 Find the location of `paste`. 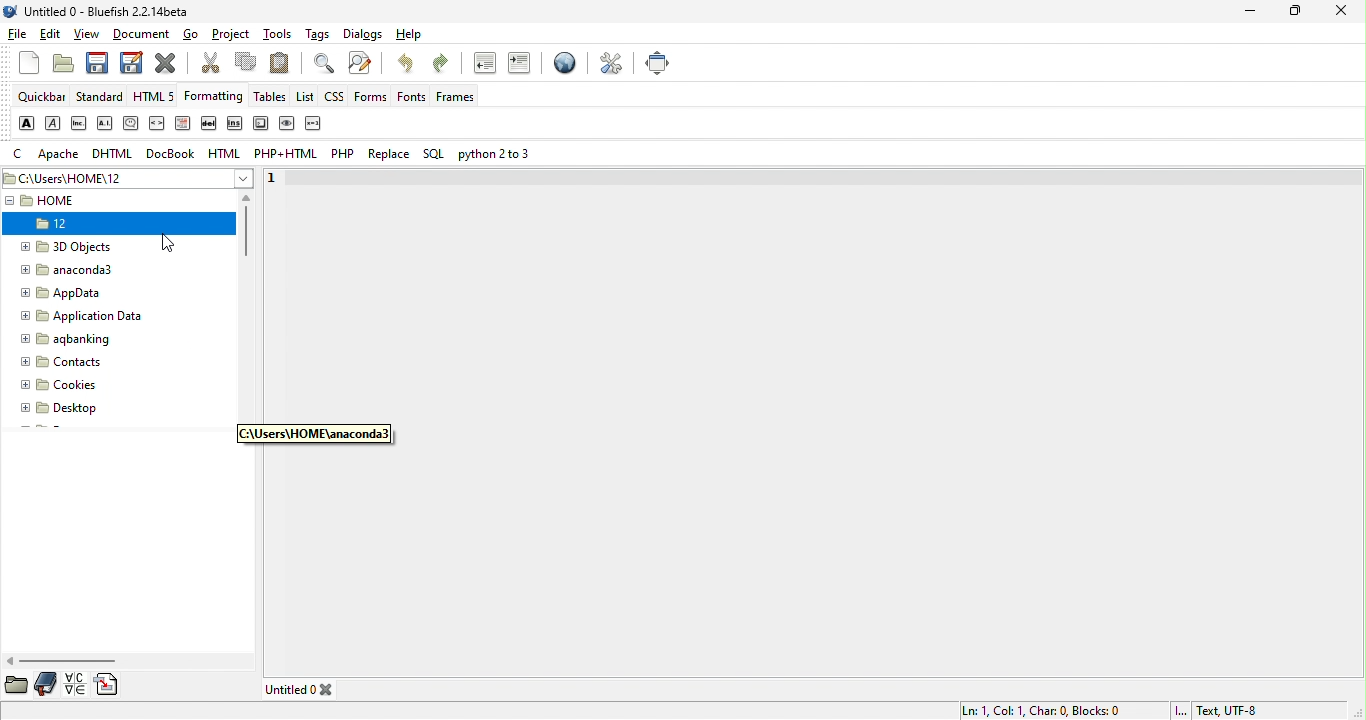

paste is located at coordinates (284, 63).